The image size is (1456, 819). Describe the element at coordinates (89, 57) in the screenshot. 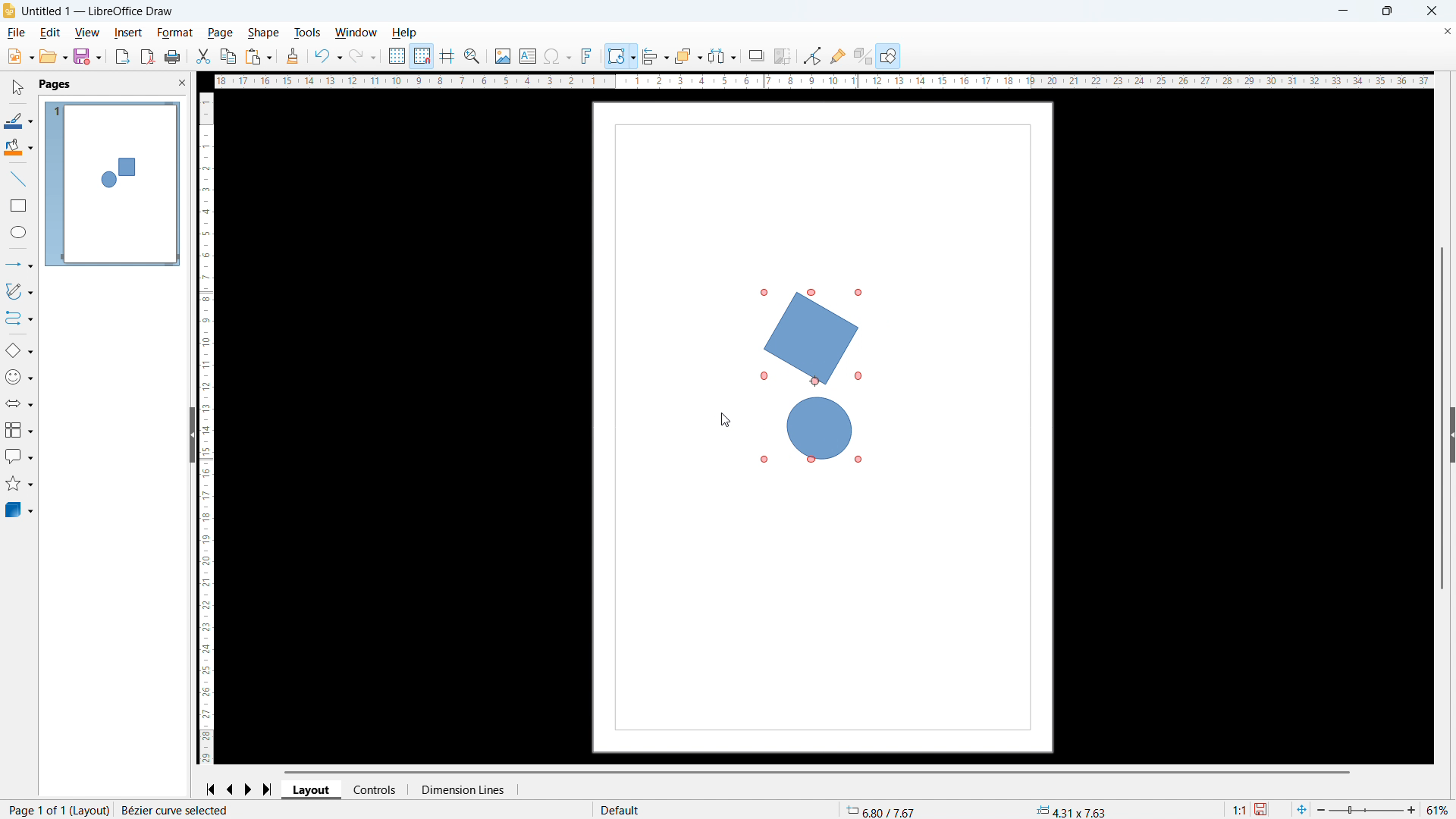

I see `save ` at that location.